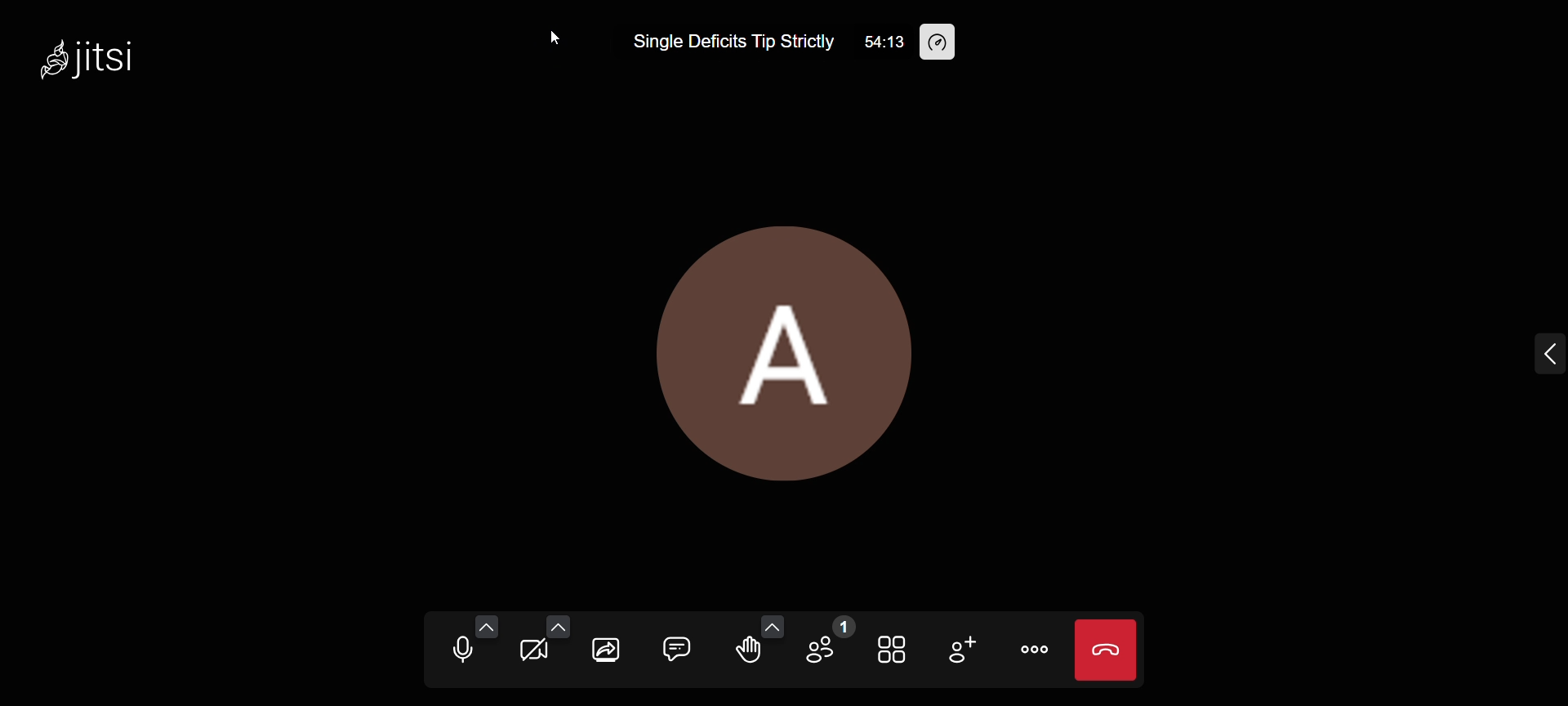  Describe the element at coordinates (961, 648) in the screenshot. I see `invite people` at that location.